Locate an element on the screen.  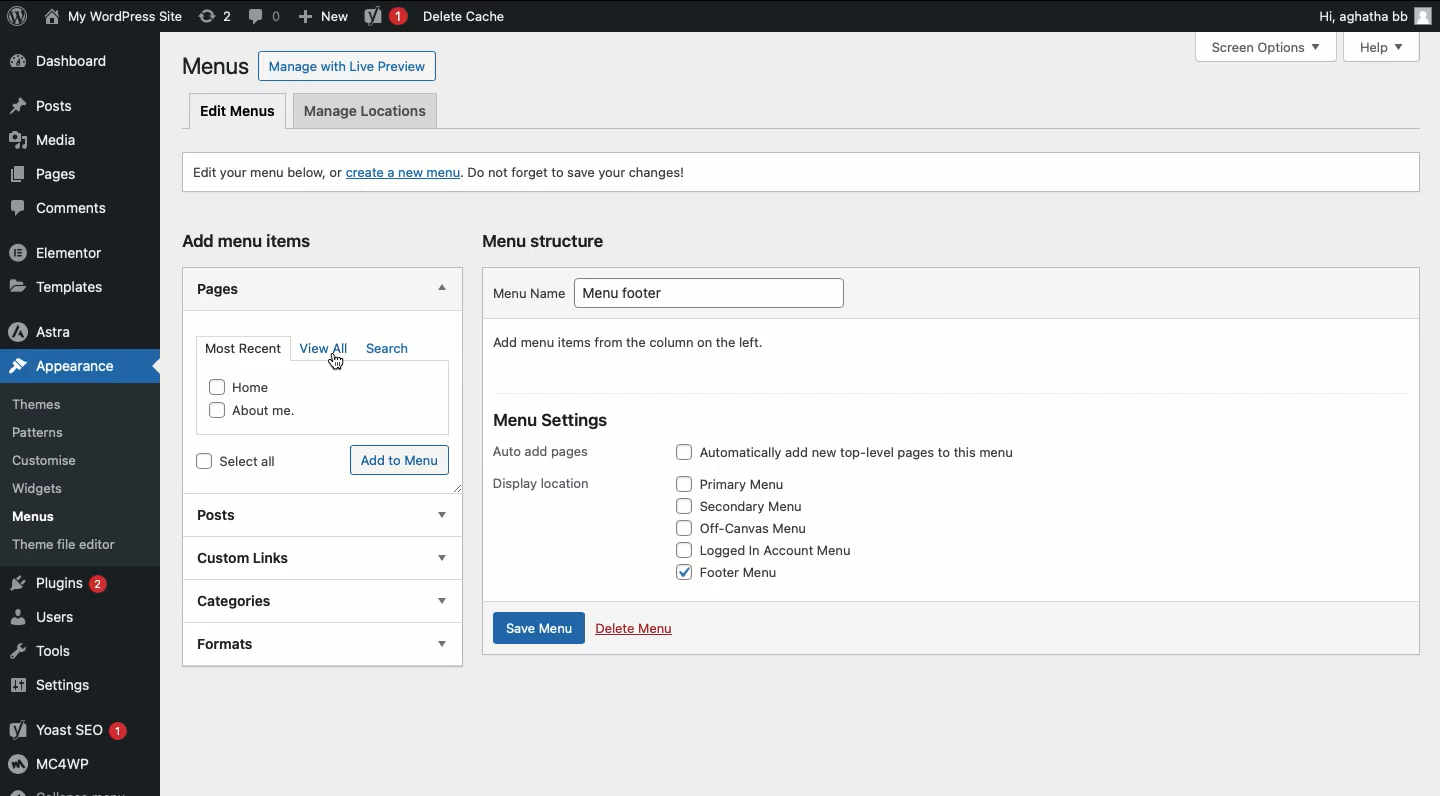
Tools is located at coordinates (50, 652).